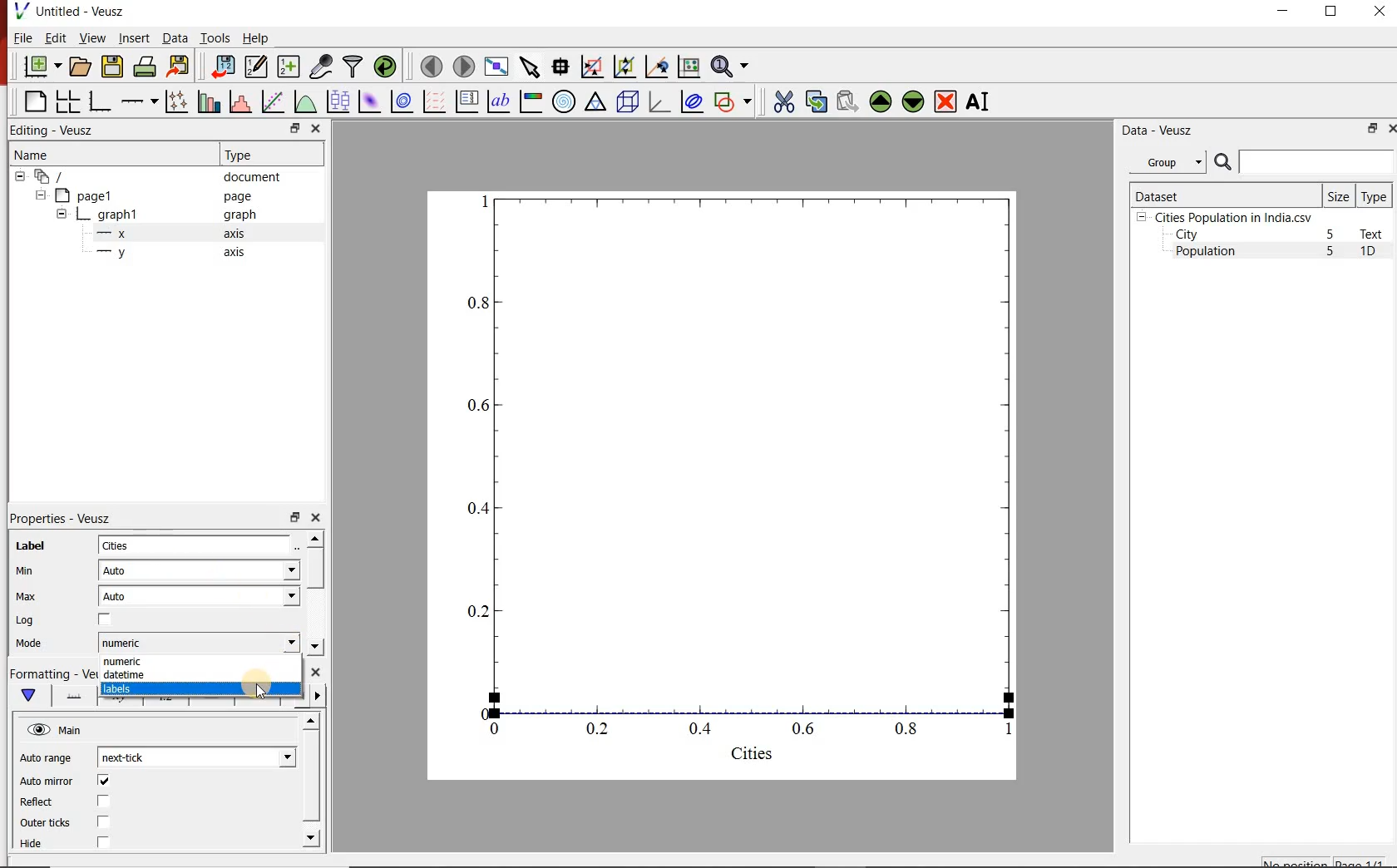 The image size is (1397, 868). I want to click on numeric, so click(184, 661).